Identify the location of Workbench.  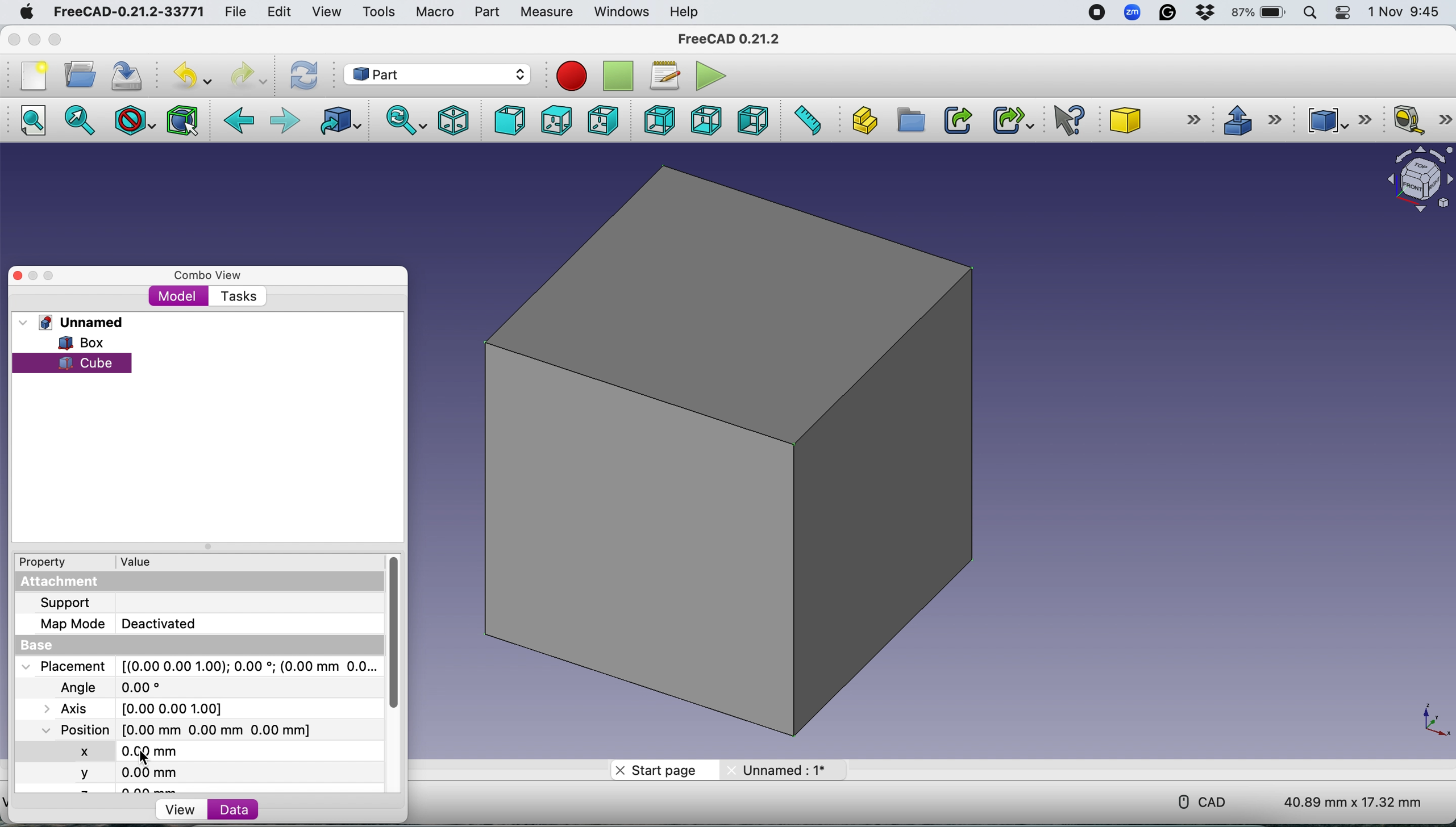
(436, 73).